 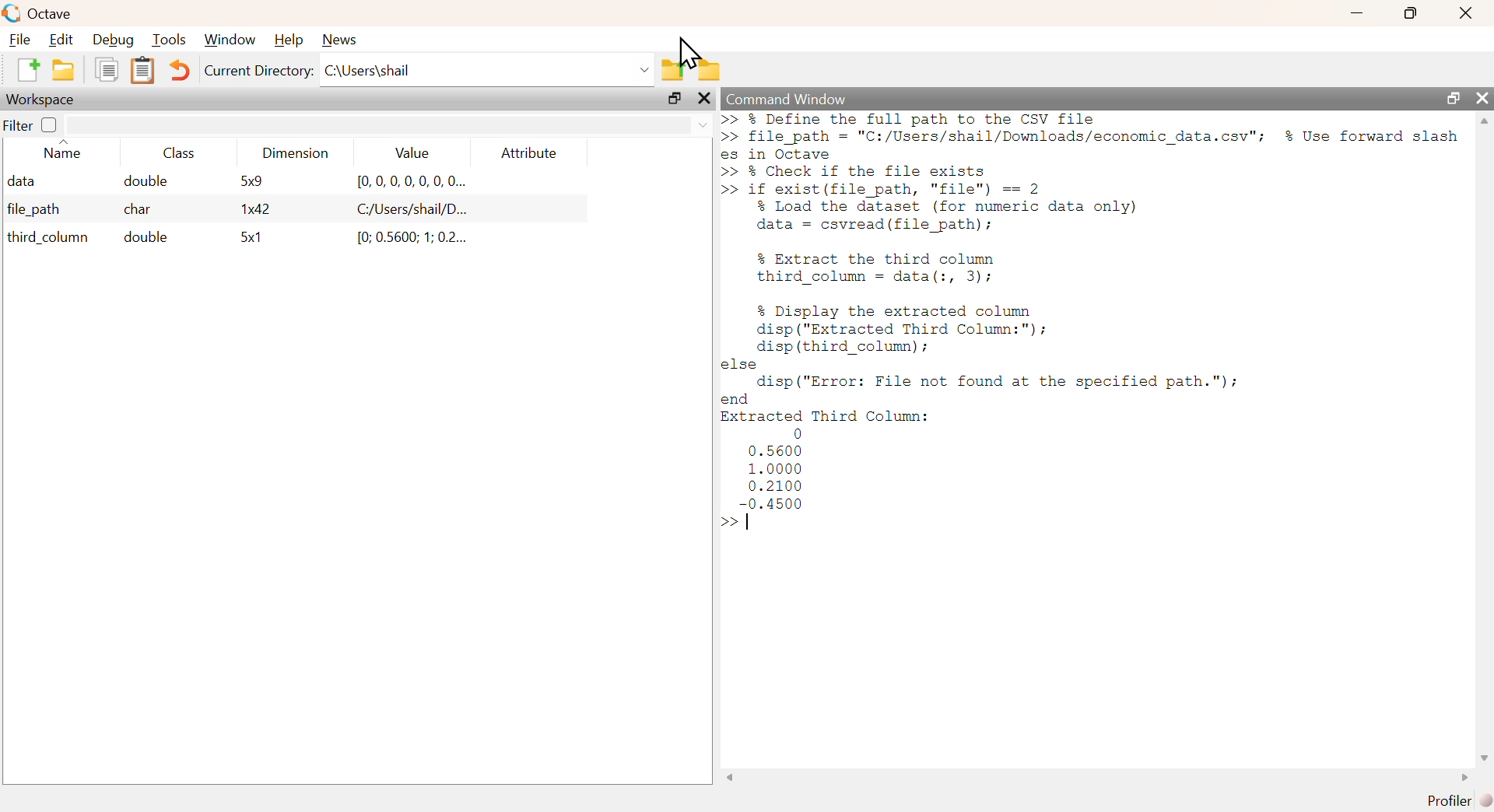 I want to click on scroll down, so click(x=1483, y=758).